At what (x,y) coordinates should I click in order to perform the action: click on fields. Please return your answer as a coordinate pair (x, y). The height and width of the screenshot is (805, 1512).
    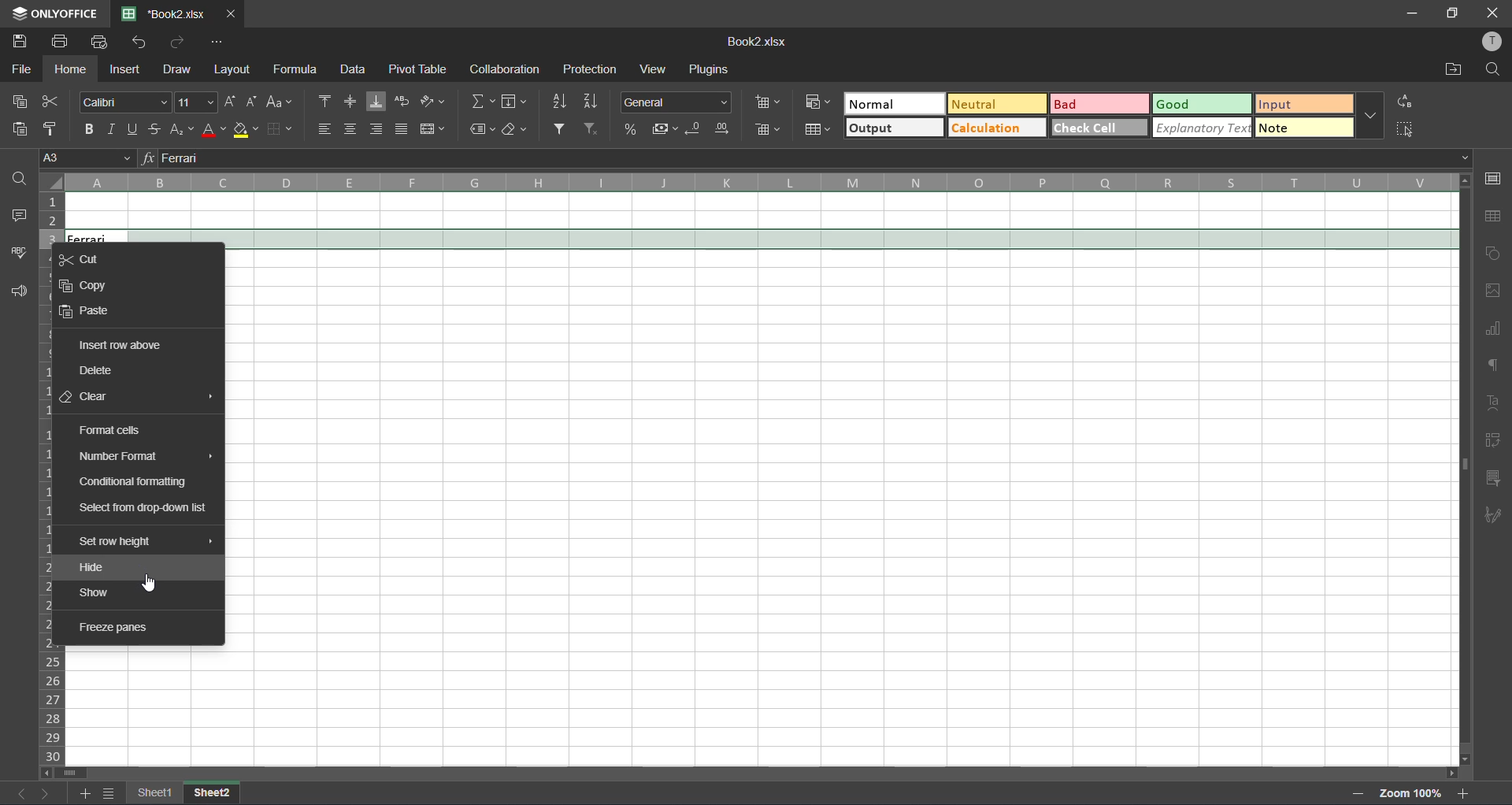
    Looking at the image, I should click on (517, 101).